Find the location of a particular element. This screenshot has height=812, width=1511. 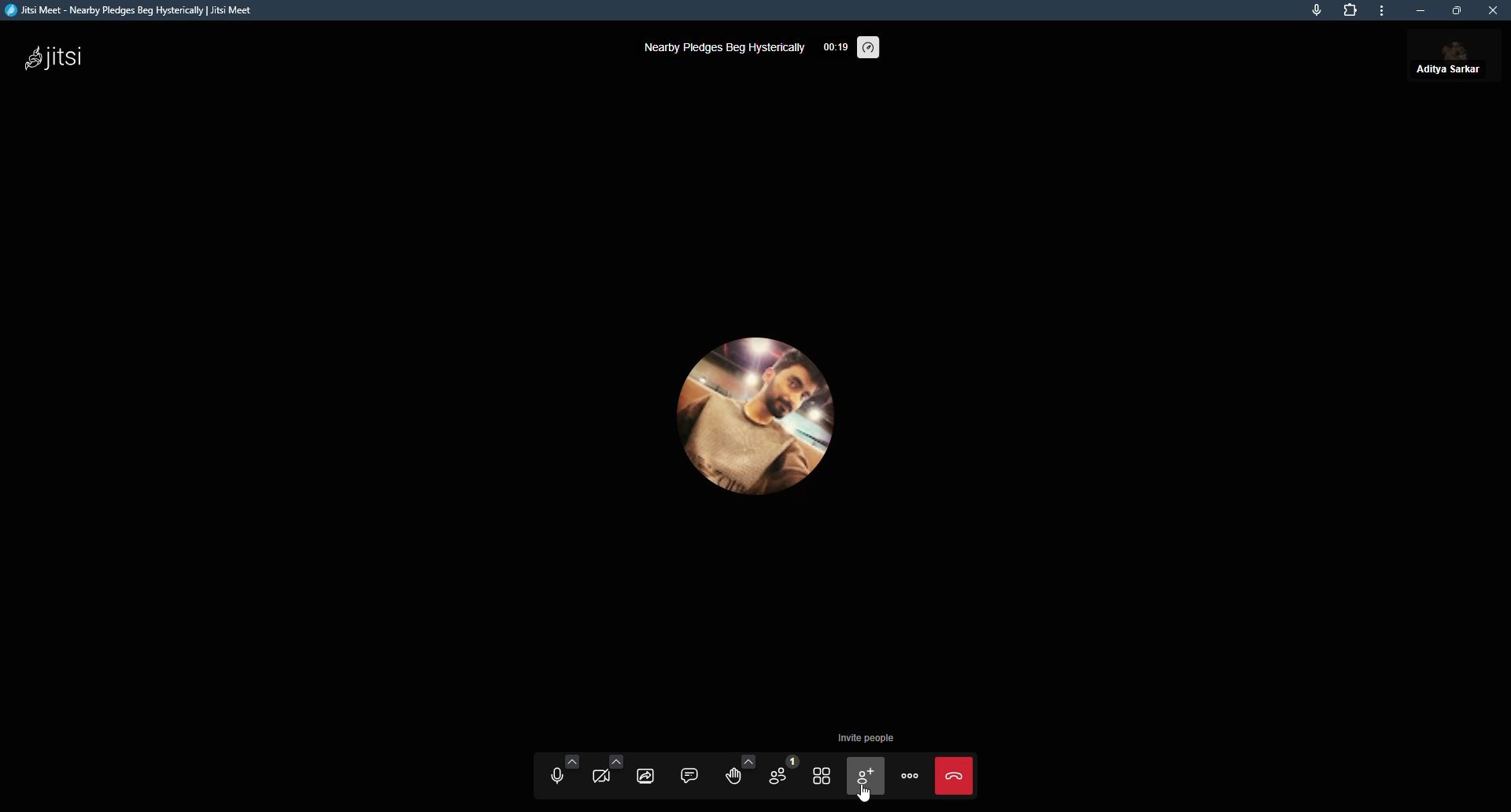

profile is located at coordinates (755, 410).